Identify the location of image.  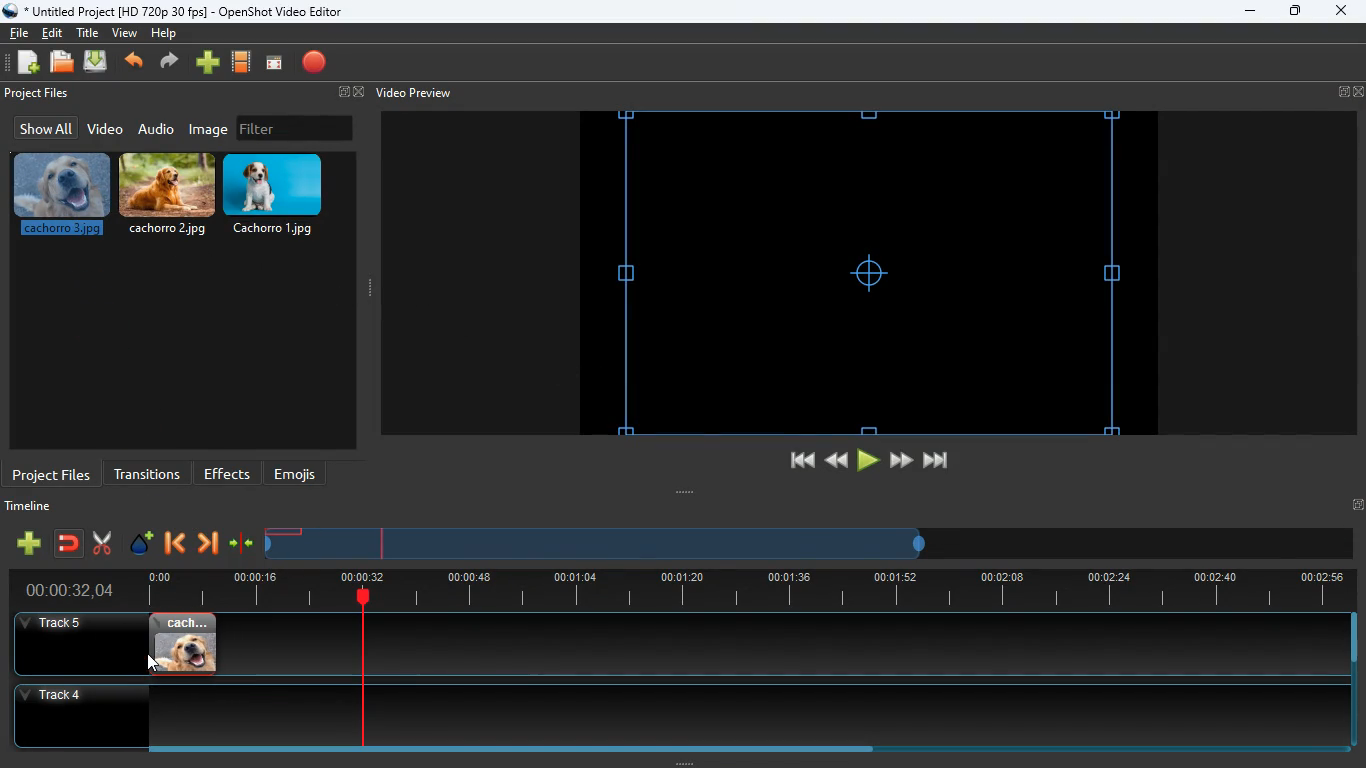
(210, 129).